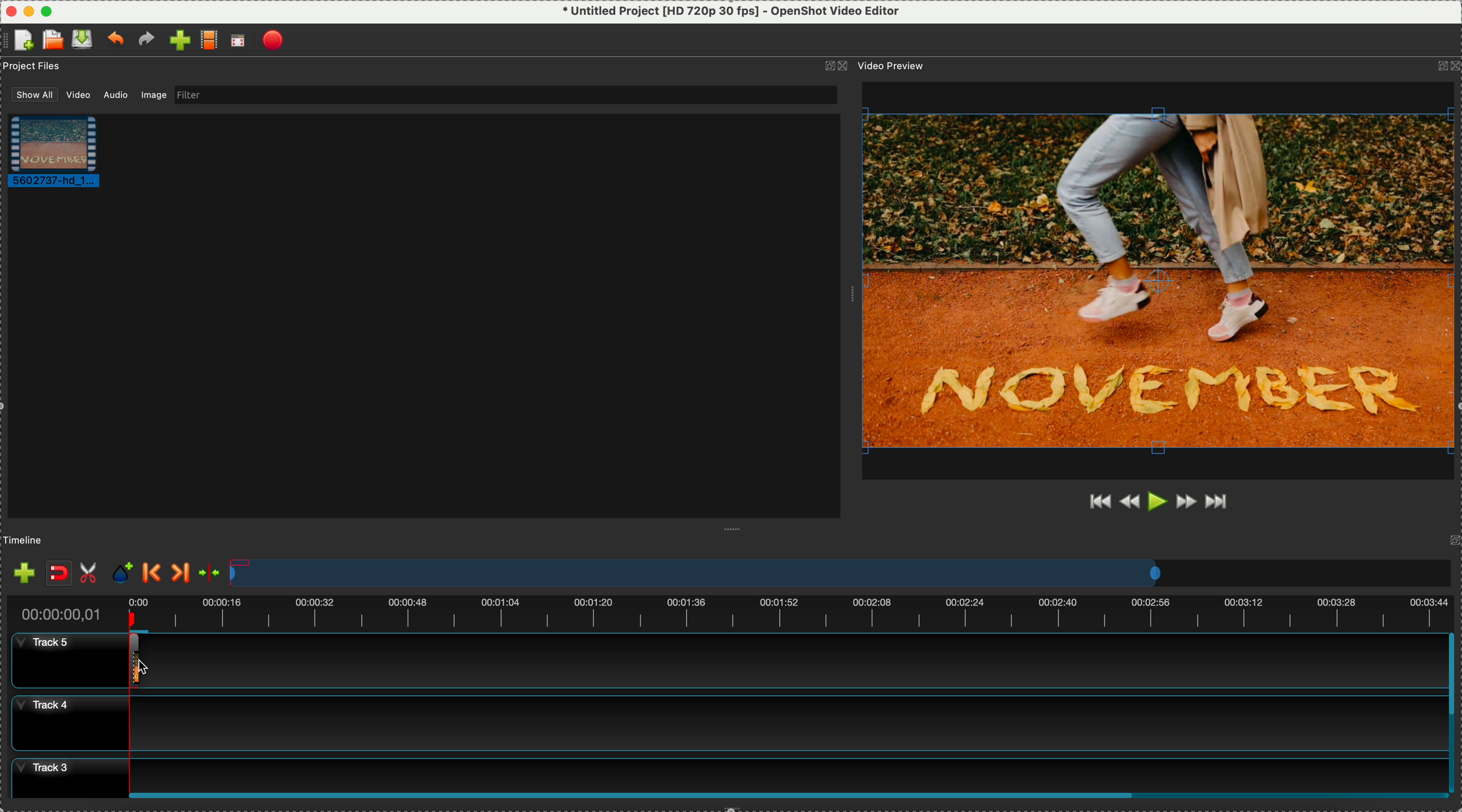 This screenshot has height=812, width=1462. Describe the element at coordinates (46, 10) in the screenshot. I see `maximize` at that location.